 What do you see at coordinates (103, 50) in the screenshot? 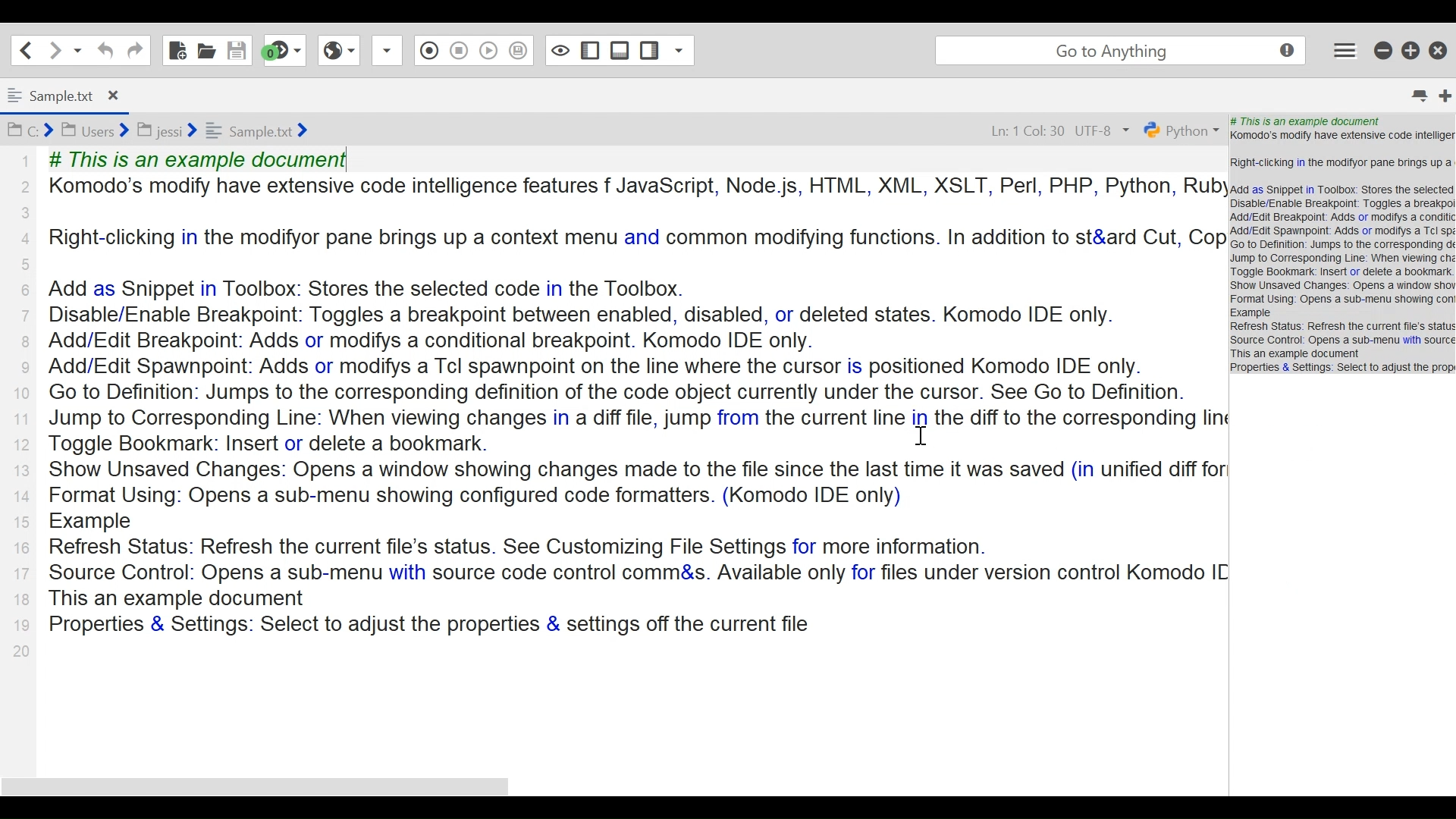
I see `undo` at bounding box center [103, 50].